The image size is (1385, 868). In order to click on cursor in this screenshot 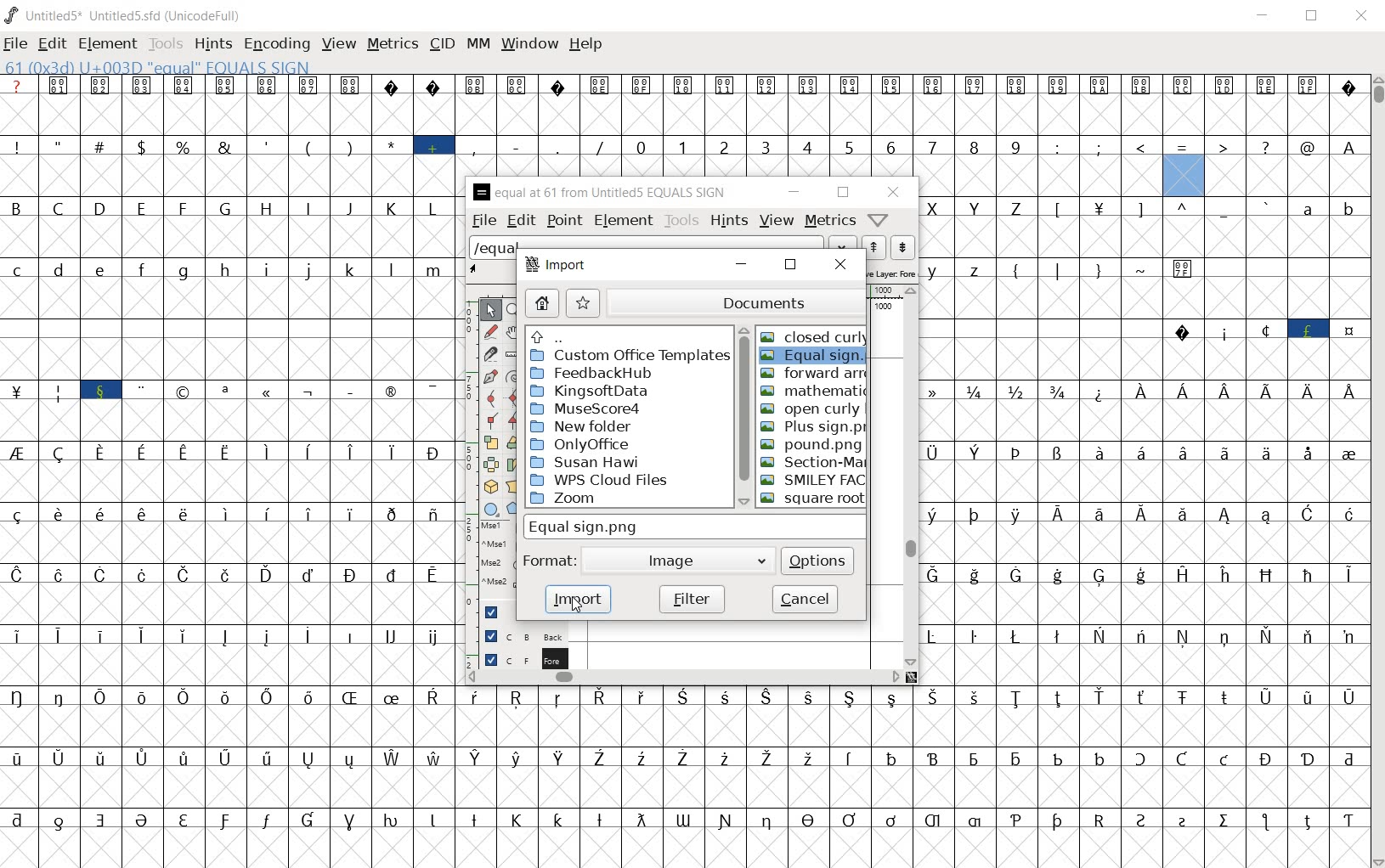, I will do `click(579, 603)`.